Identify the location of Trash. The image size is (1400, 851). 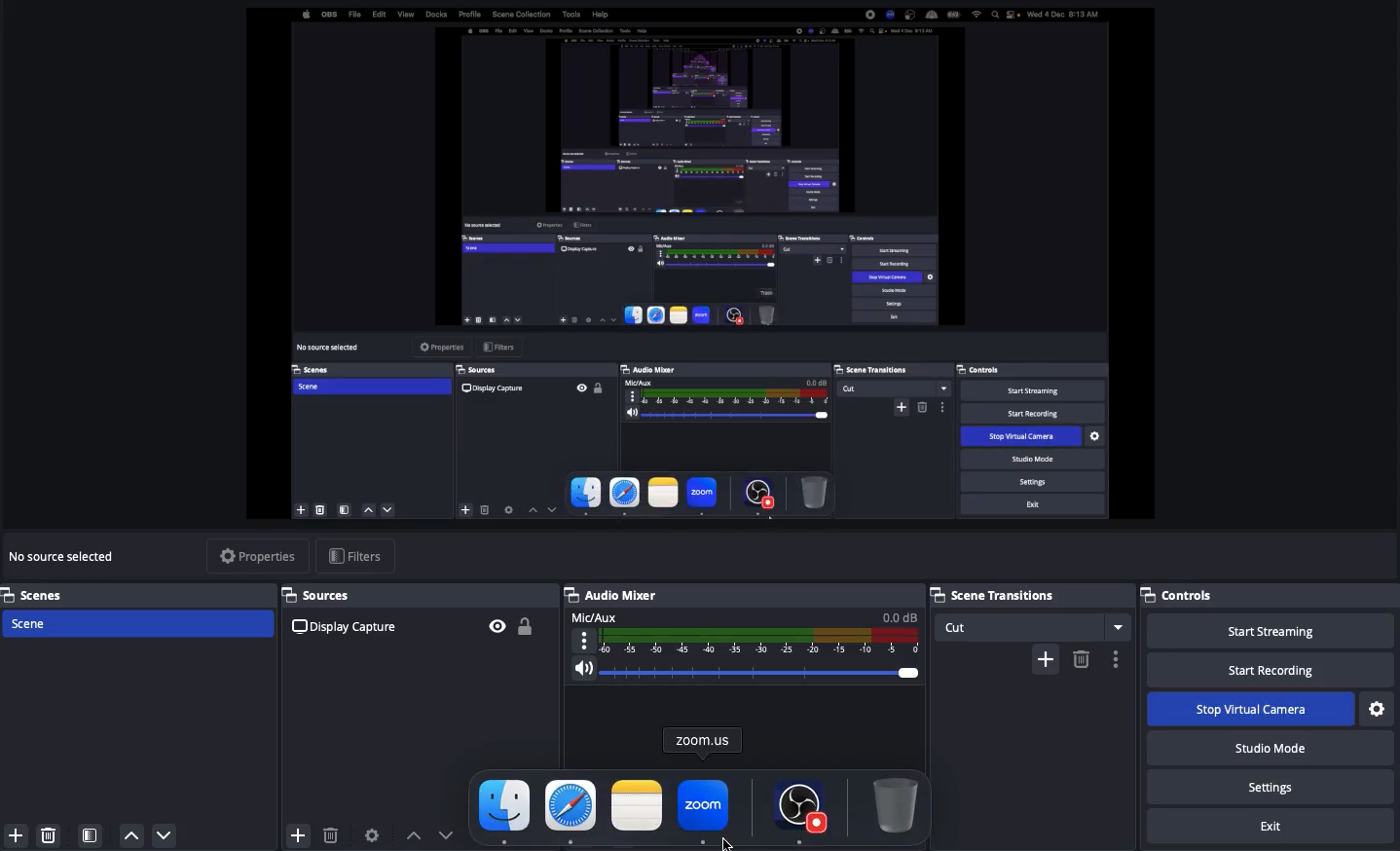
(895, 803).